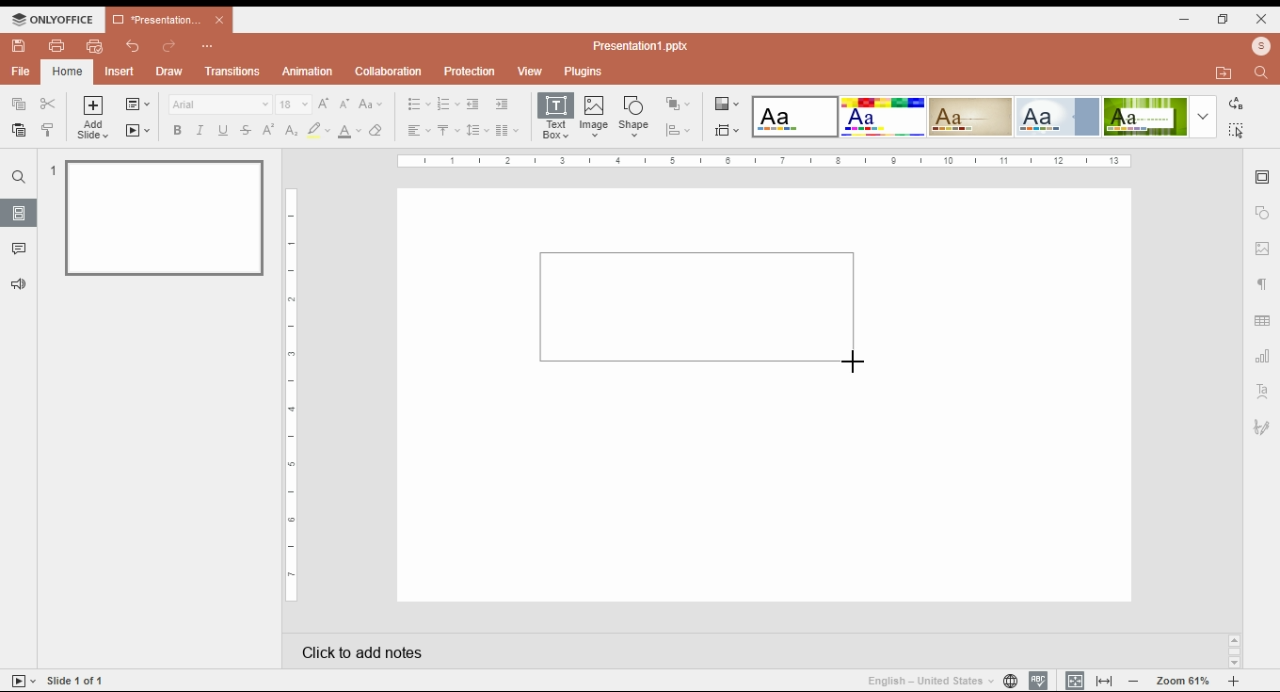 This screenshot has height=692, width=1280. I want to click on language, so click(928, 681).